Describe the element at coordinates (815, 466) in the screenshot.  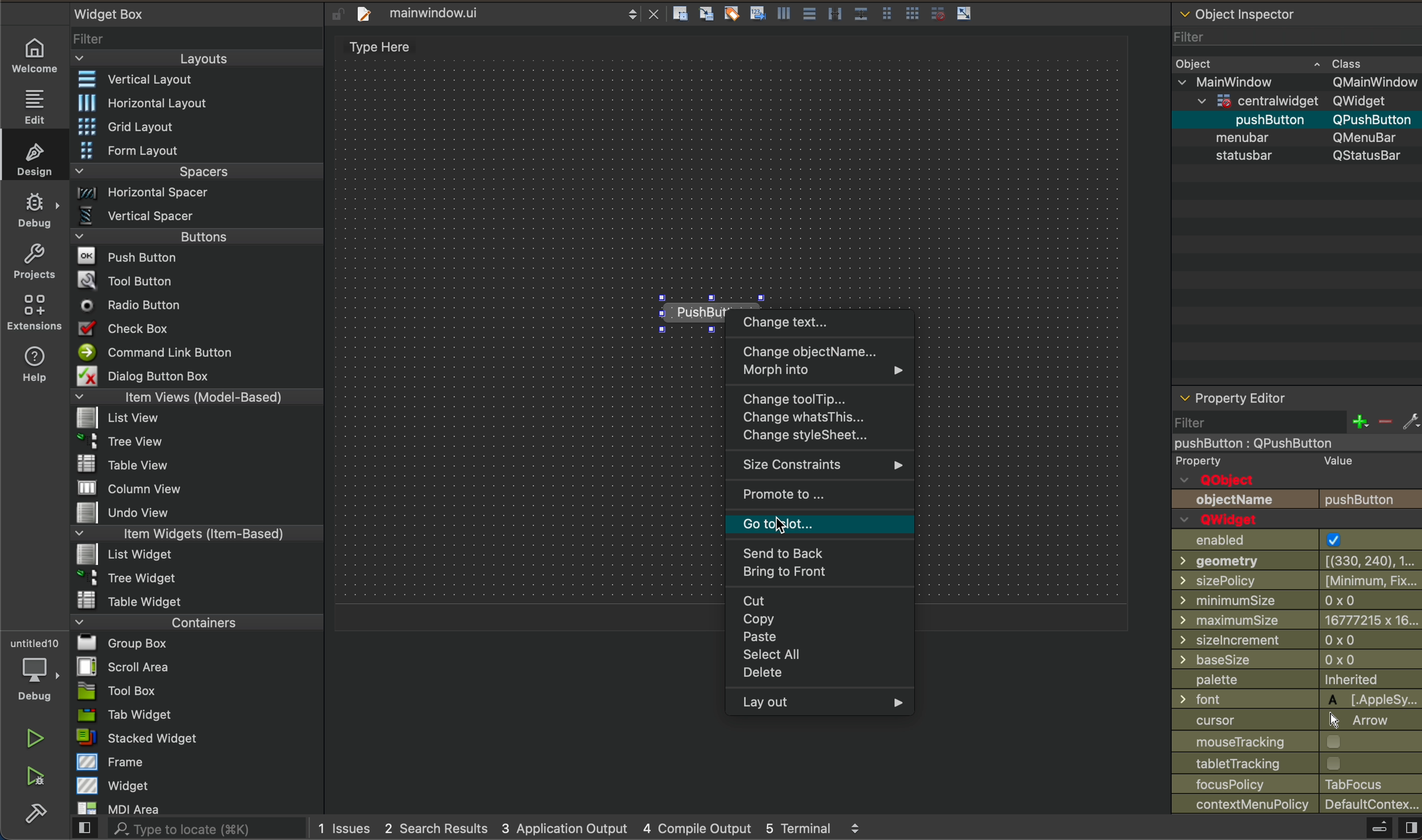
I see `size condtraint ` at that location.